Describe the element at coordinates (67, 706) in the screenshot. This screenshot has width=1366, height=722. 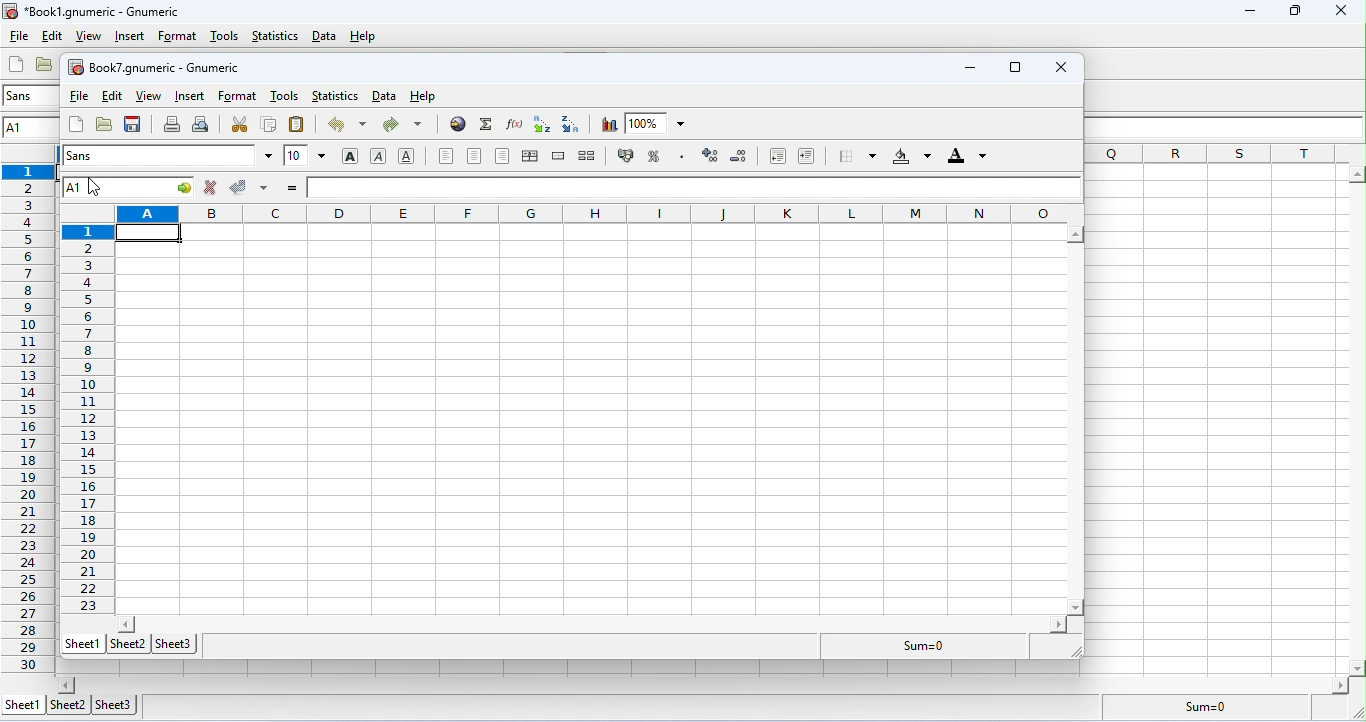
I see `sheet2` at that location.